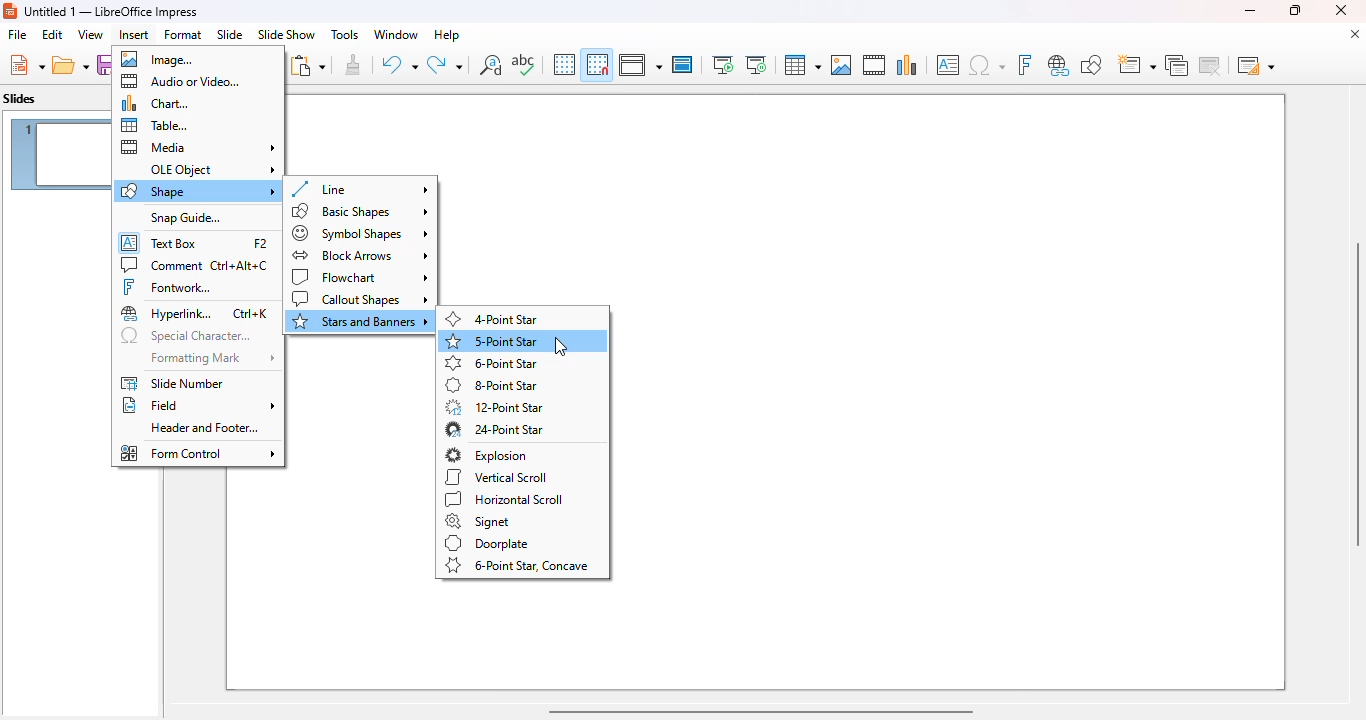 This screenshot has width=1366, height=720. Describe the element at coordinates (759, 710) in the screenshot. I see `horizontal scroll bar` at that location.